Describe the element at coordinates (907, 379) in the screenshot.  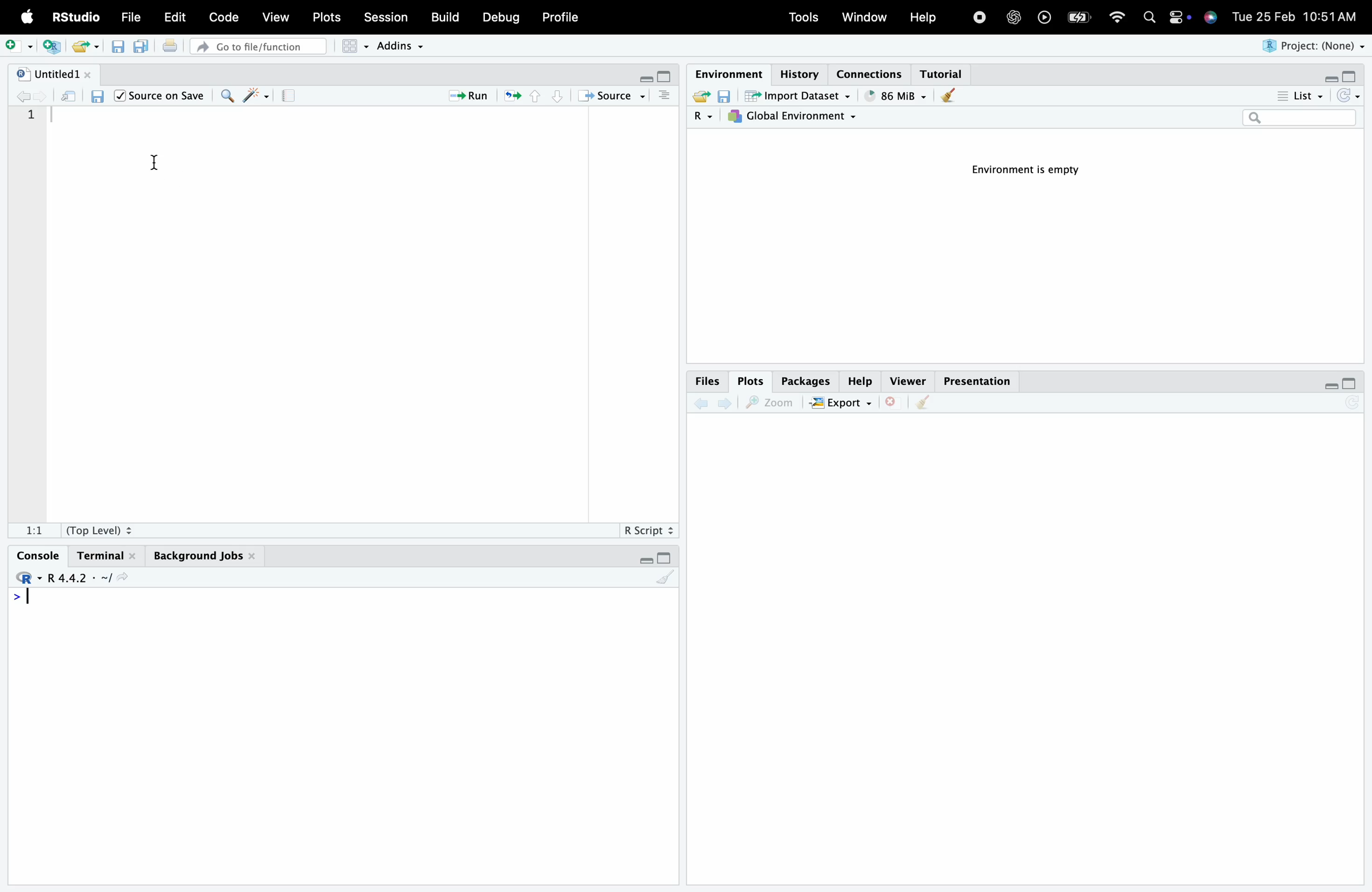
I see `Viewer` at that location.